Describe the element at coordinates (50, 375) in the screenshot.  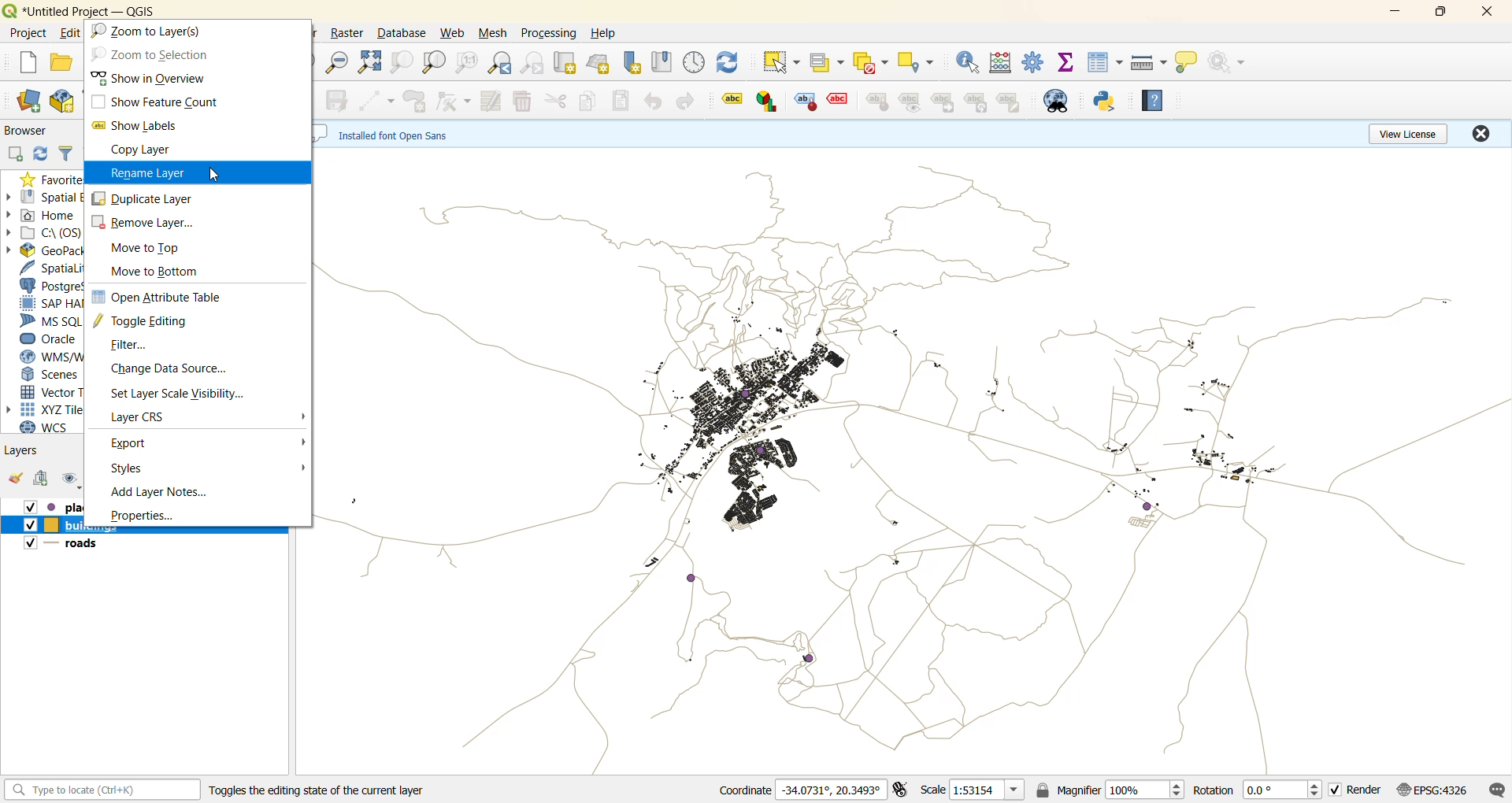
I see `scenes` at that location.